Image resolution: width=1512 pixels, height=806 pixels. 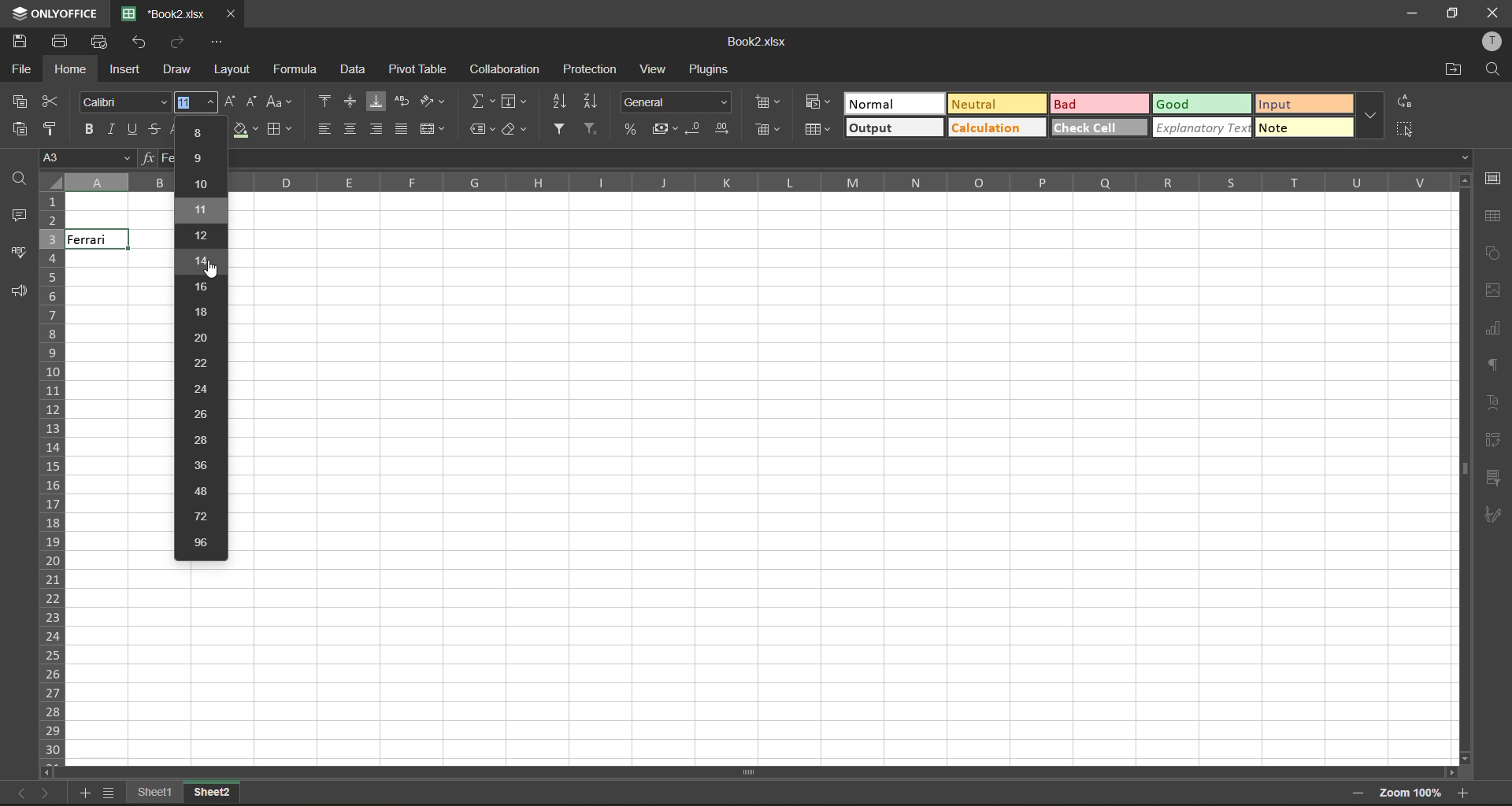 I want to click on 24, so click(x=201, y=389).